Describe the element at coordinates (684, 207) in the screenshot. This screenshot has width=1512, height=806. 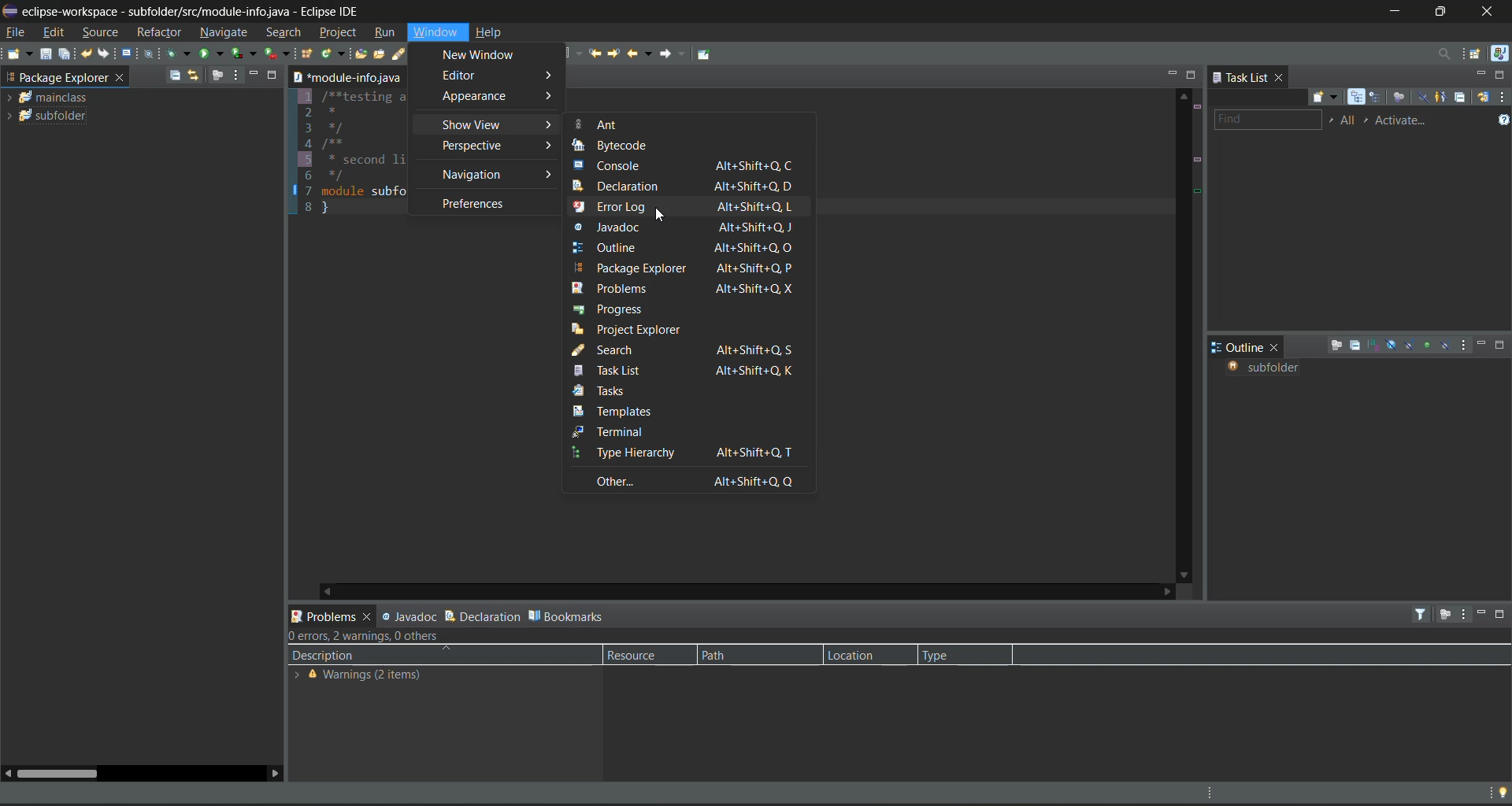
I see `error log` at that location.